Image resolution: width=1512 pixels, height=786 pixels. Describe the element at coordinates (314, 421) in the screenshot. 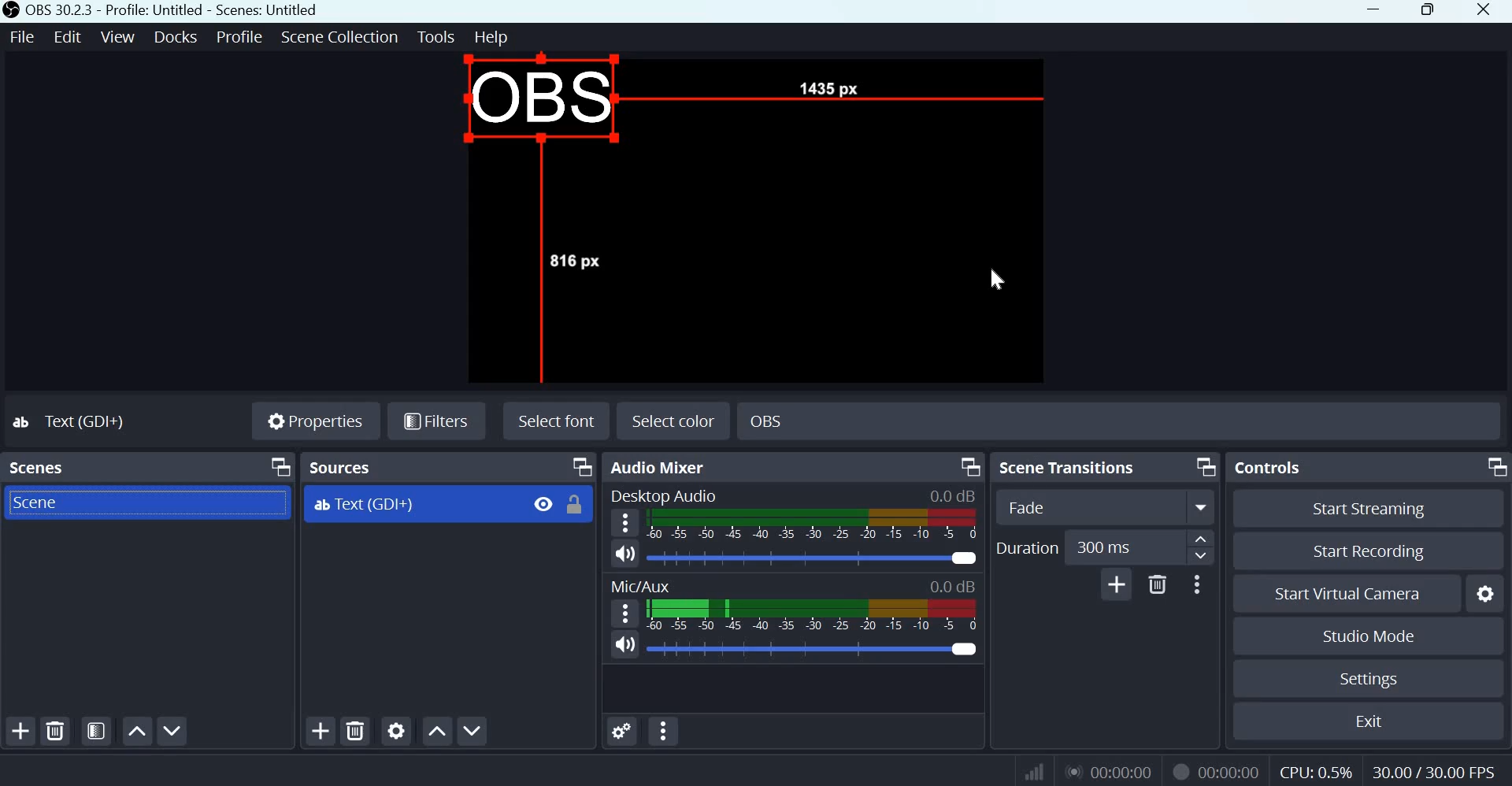

I see `Properties` at that location.